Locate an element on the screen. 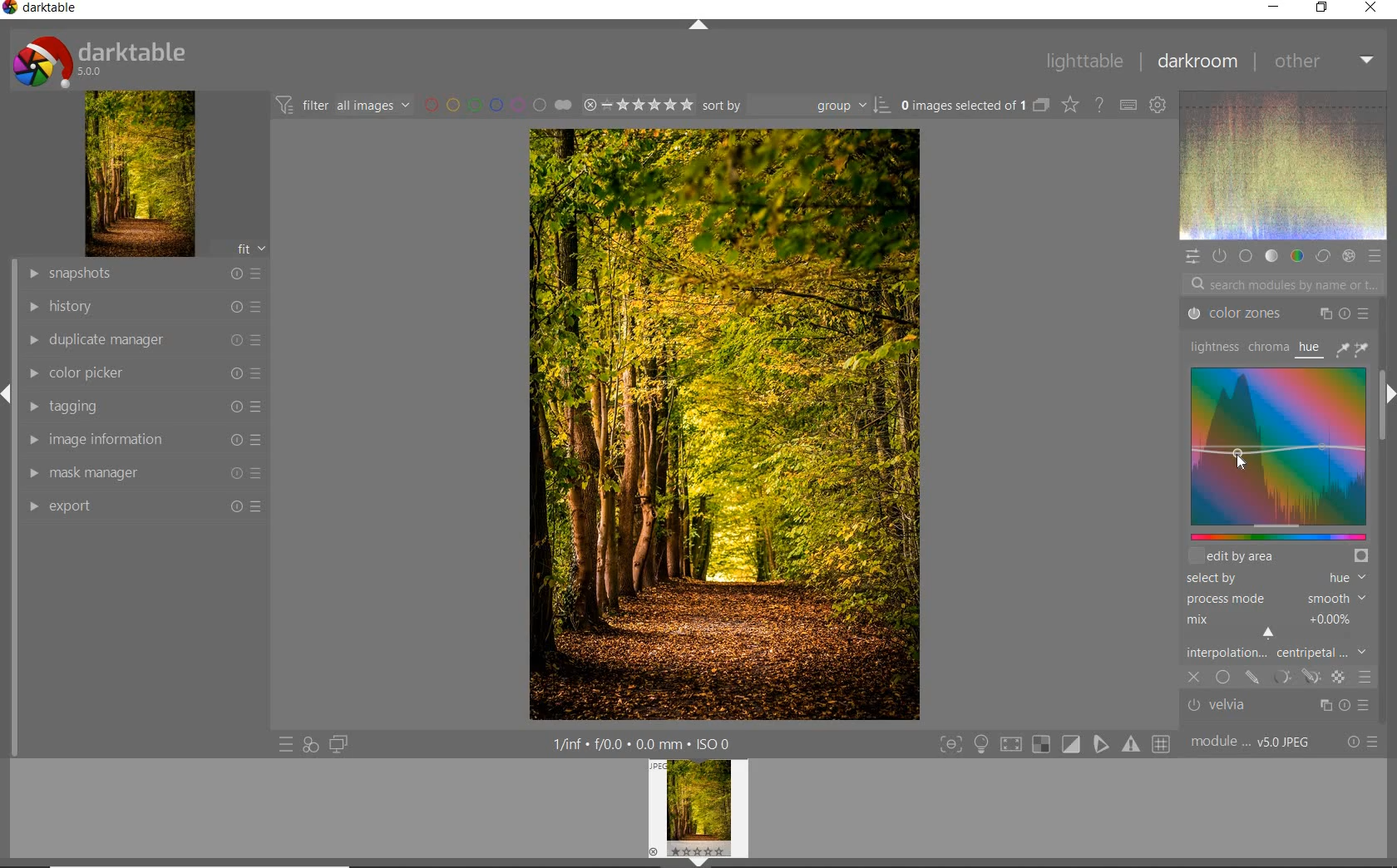 This screenshot has height=868, width=1397. uniformly is located at coordinates (1222, 678).